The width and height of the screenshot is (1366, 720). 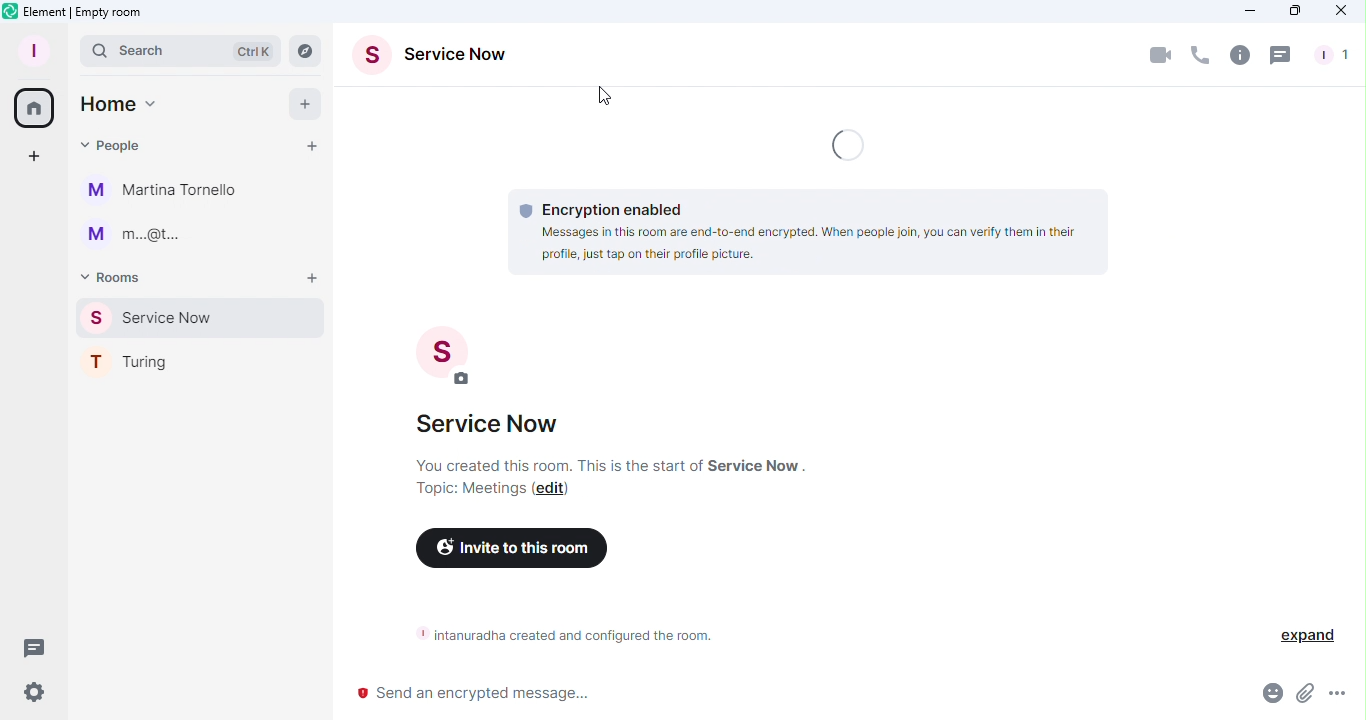 What do you see at coordinates (1304, 699) in the screenshot?
I see `Attachment` at bounding box center [1304, 699].